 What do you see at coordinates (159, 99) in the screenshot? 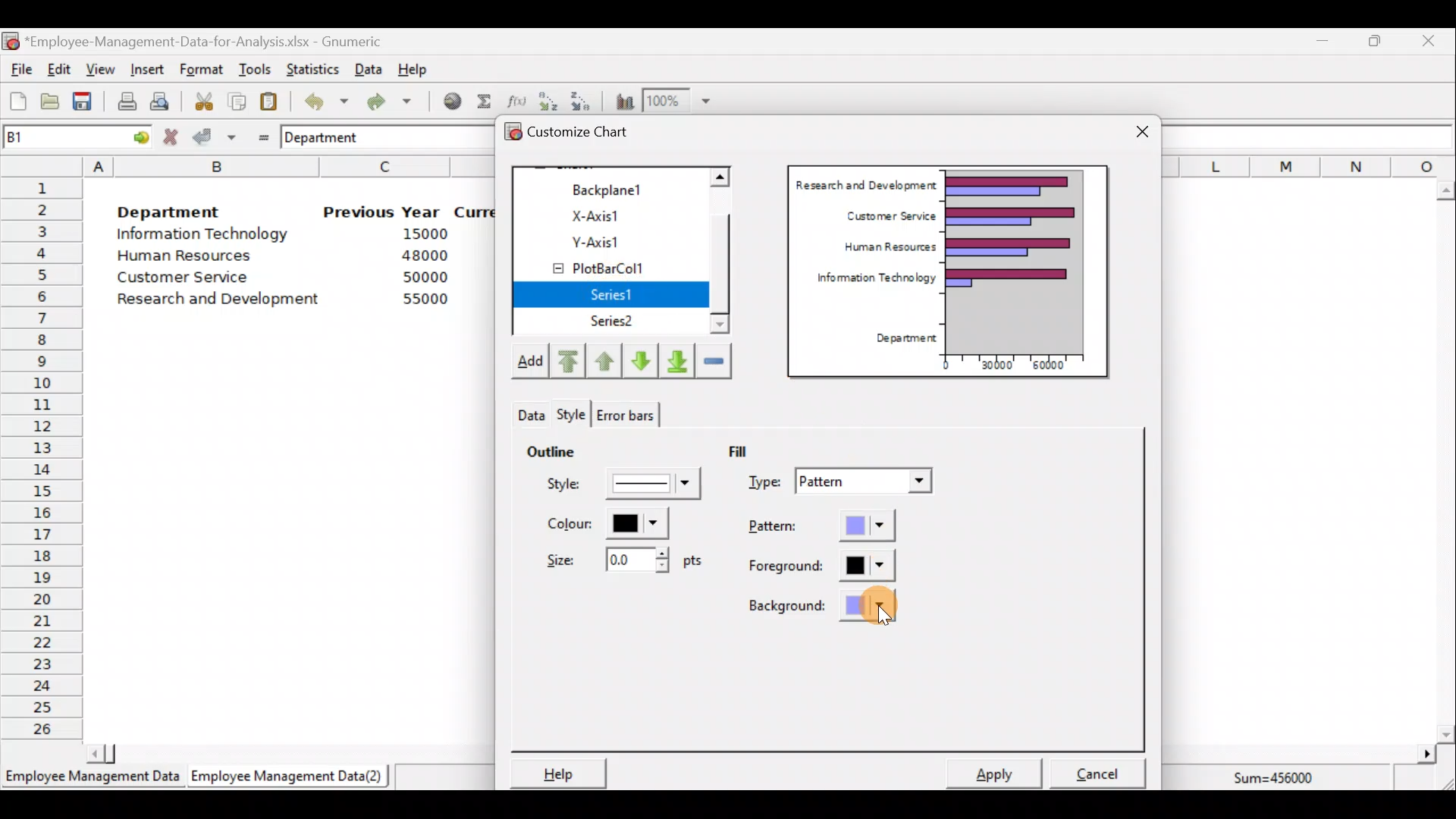
I see `Print preview` at bounding box center [159, 99].